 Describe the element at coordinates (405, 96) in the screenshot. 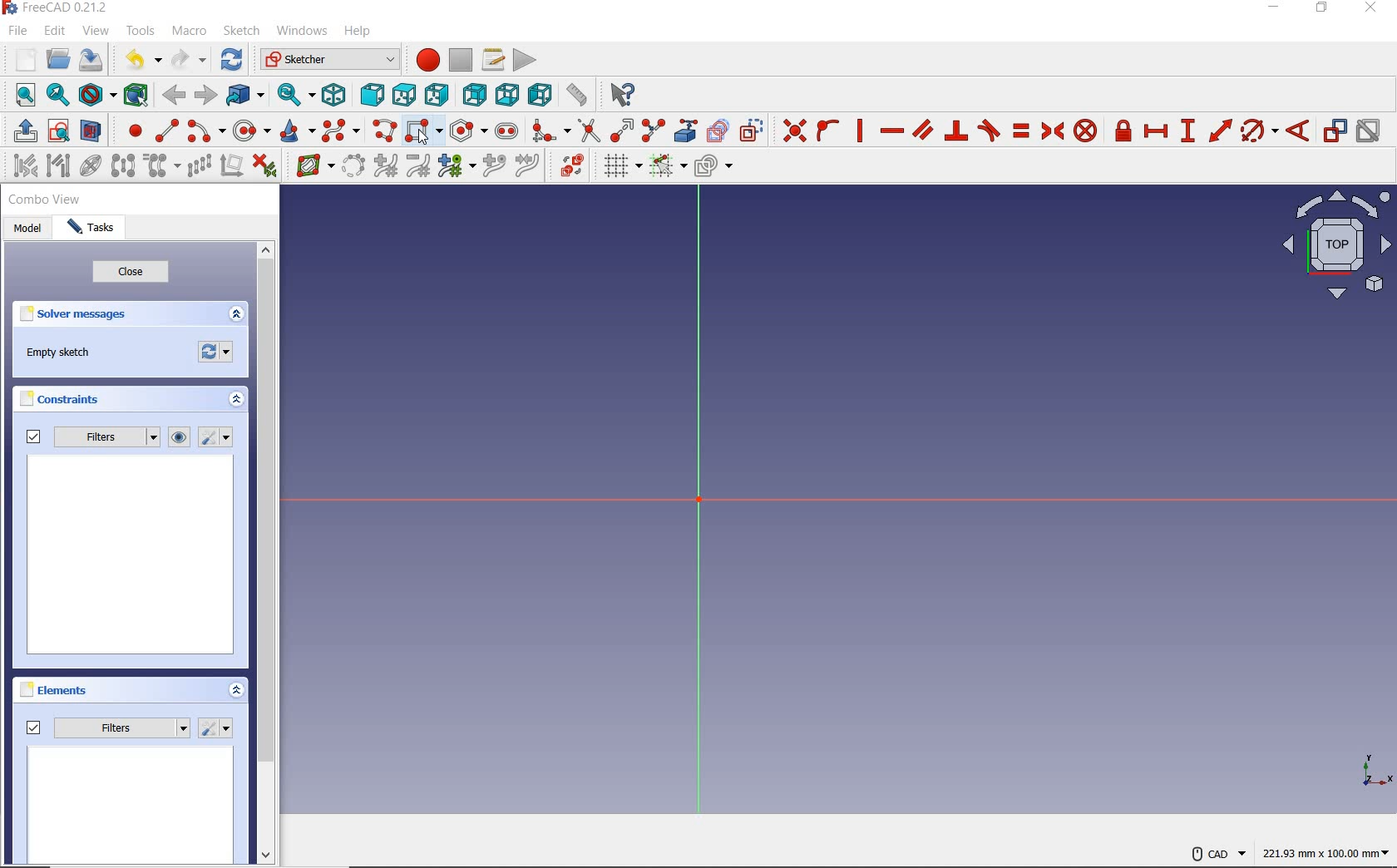

I see `top` at that location.